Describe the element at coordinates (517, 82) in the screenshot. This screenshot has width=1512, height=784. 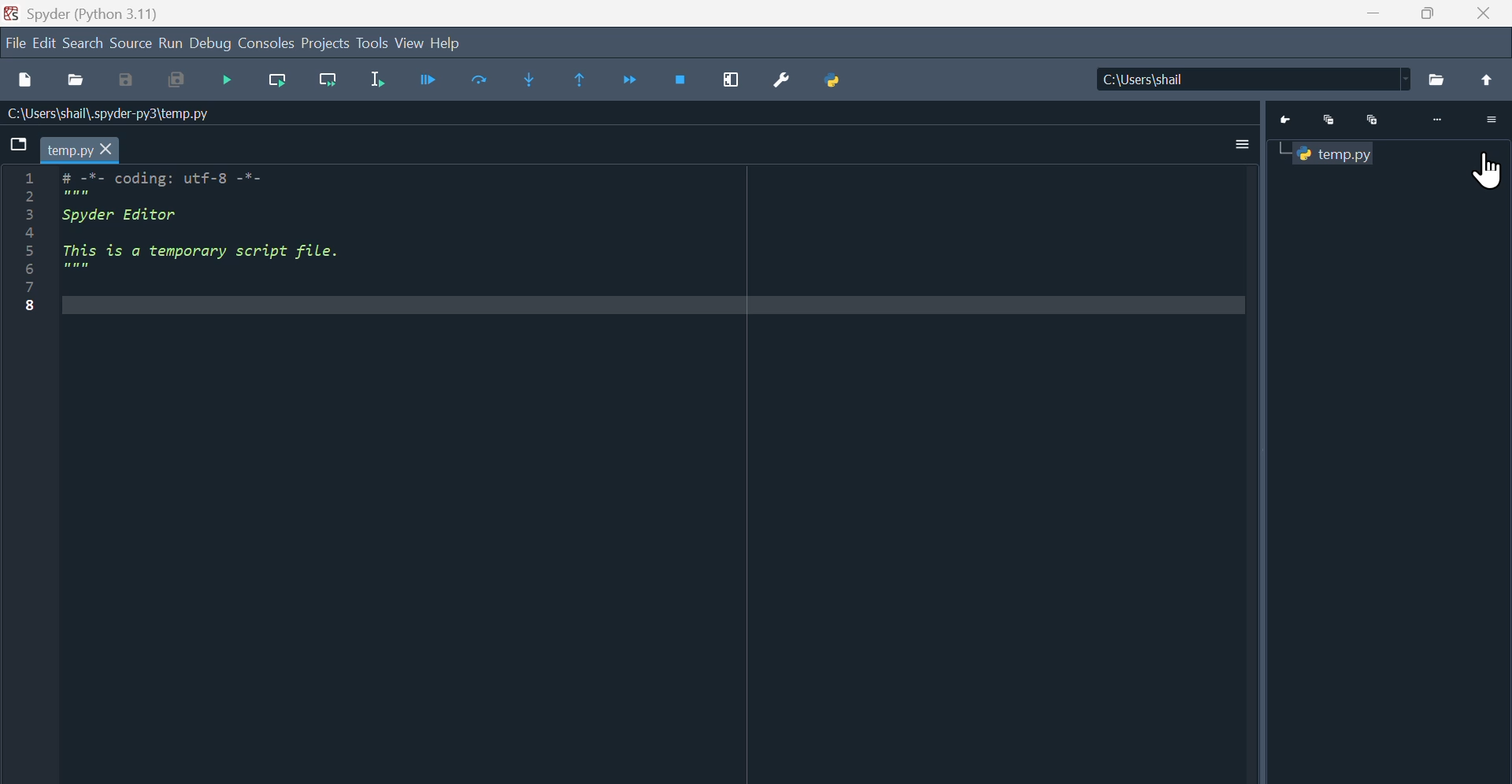
I see `Step into function` at that location.